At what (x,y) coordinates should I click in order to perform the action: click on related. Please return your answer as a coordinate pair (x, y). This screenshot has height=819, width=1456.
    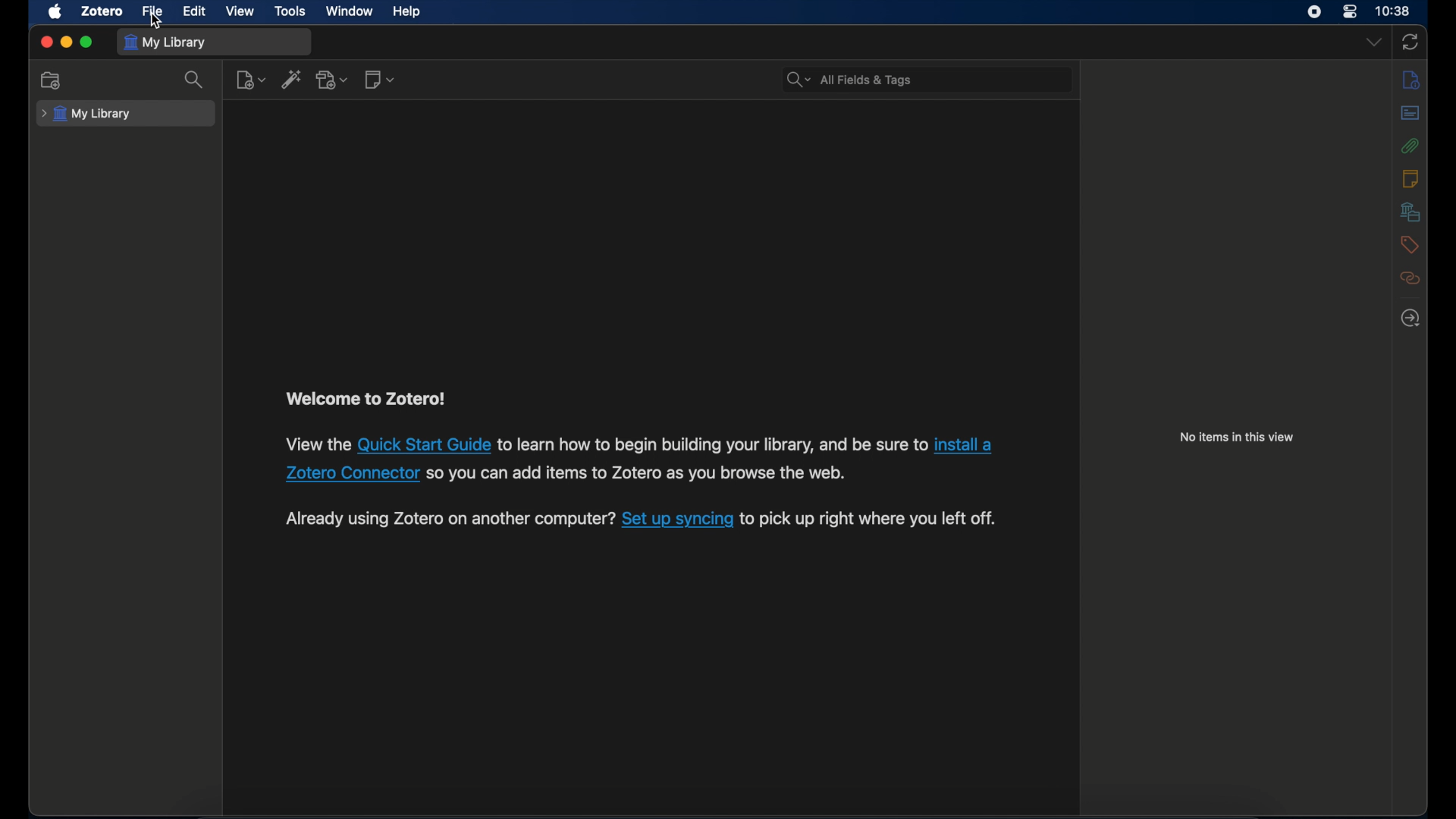
    Looking at the image, I should click on (1410, 278).